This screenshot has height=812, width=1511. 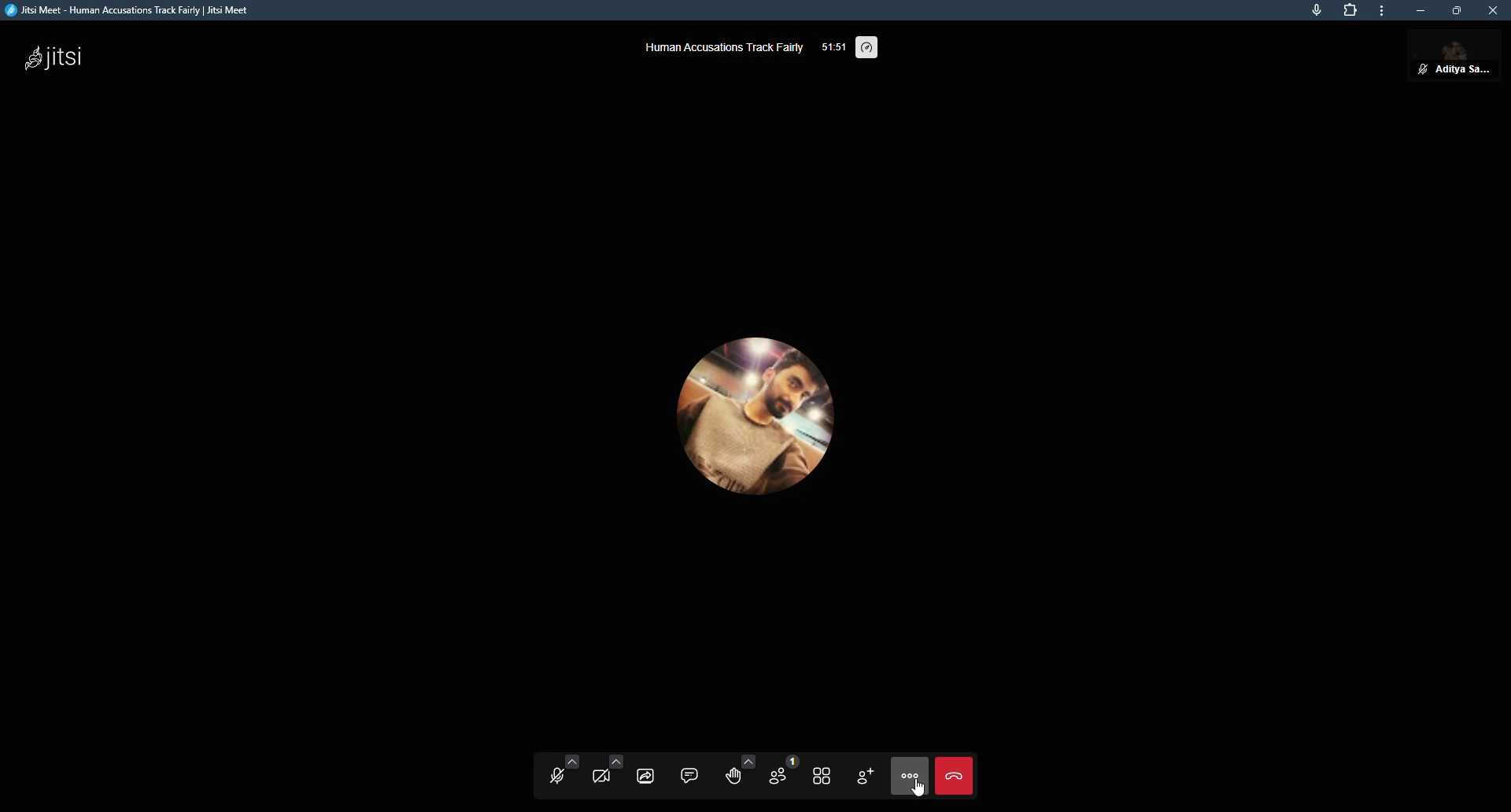 I want to click on jitsi, so click(x=58, y=57).